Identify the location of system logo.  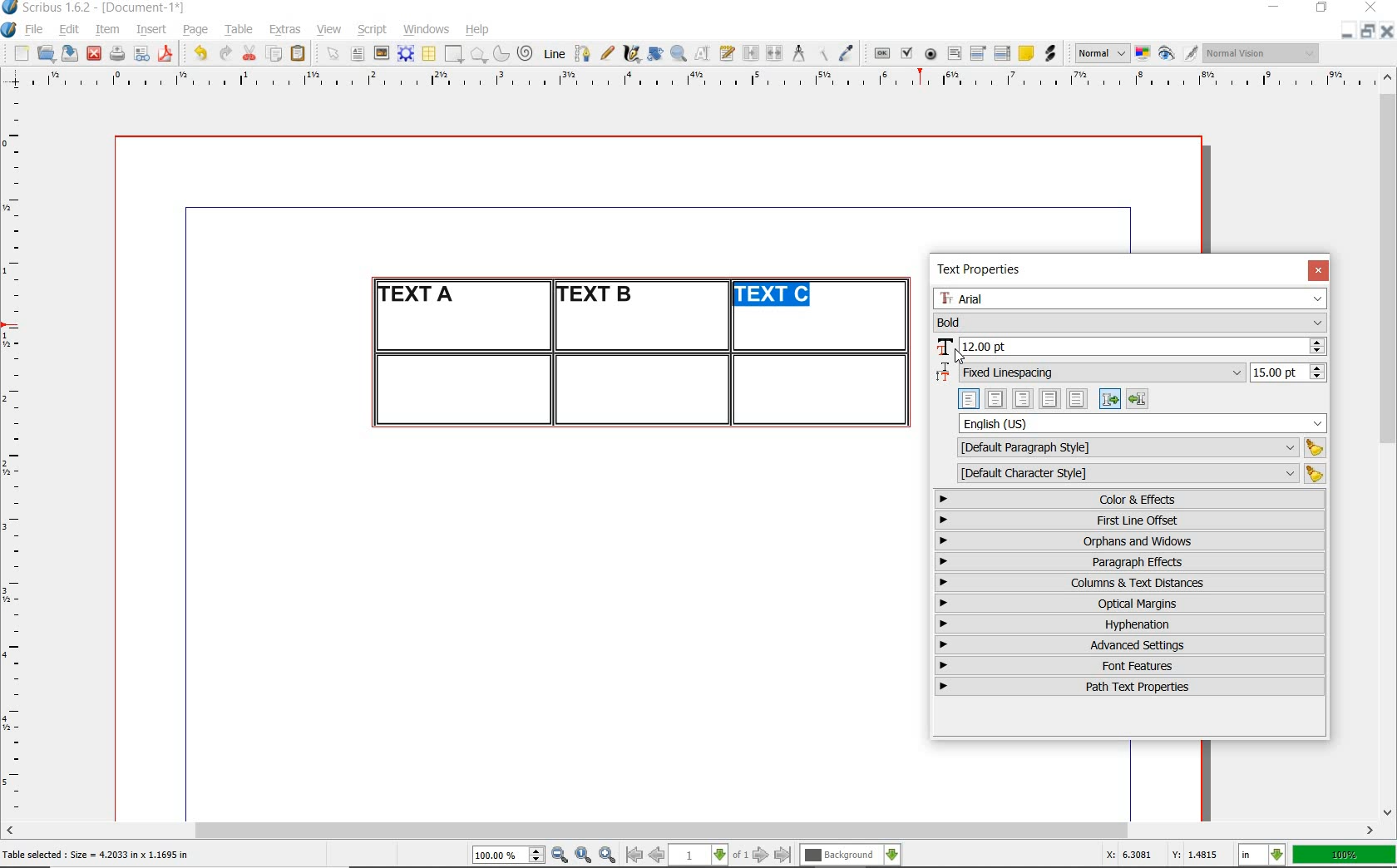
(10, 30).